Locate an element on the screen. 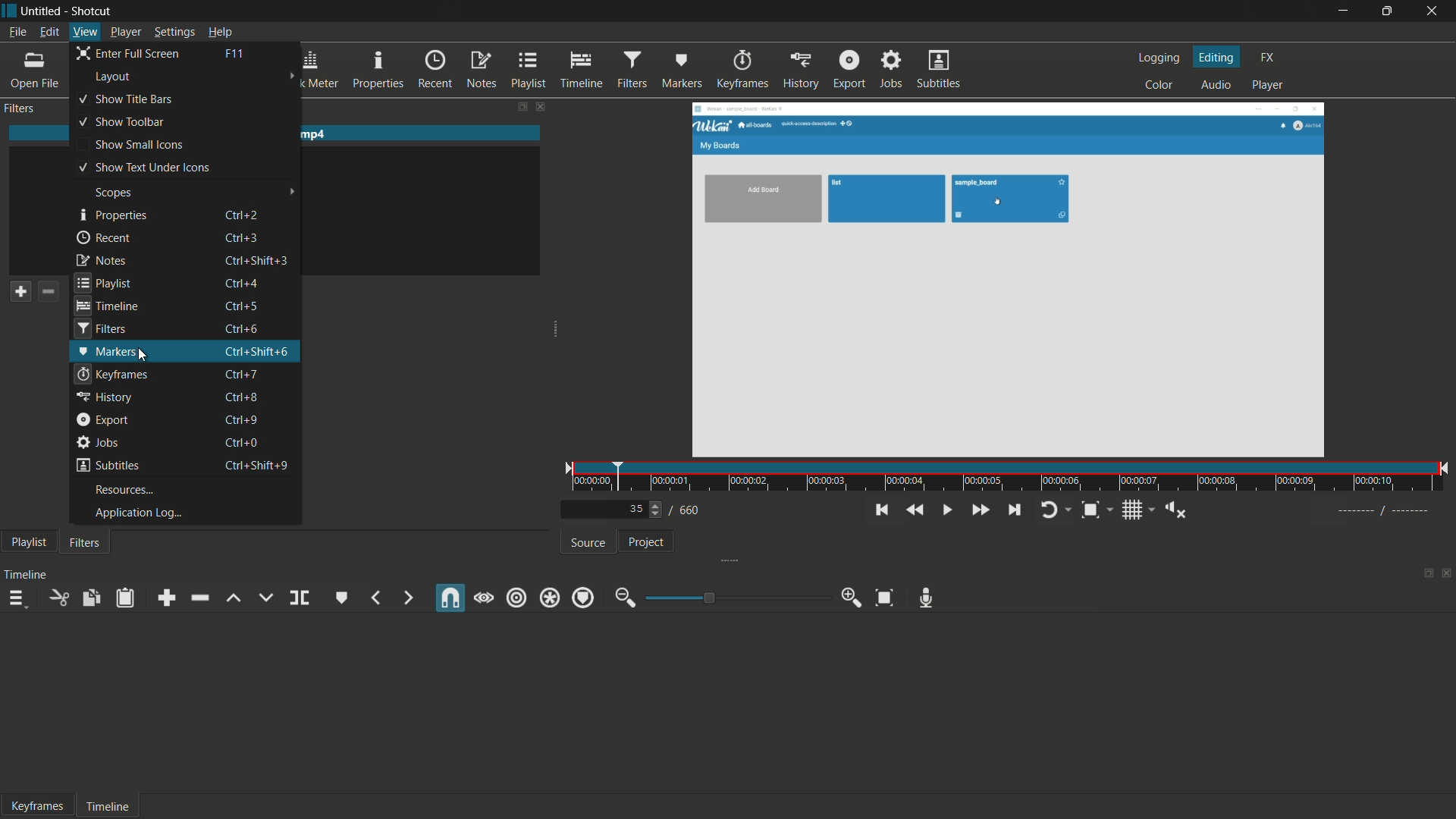 The width and height of the screenshot is (1456, 819). create or edit marker is located at coordinates (340, 597).